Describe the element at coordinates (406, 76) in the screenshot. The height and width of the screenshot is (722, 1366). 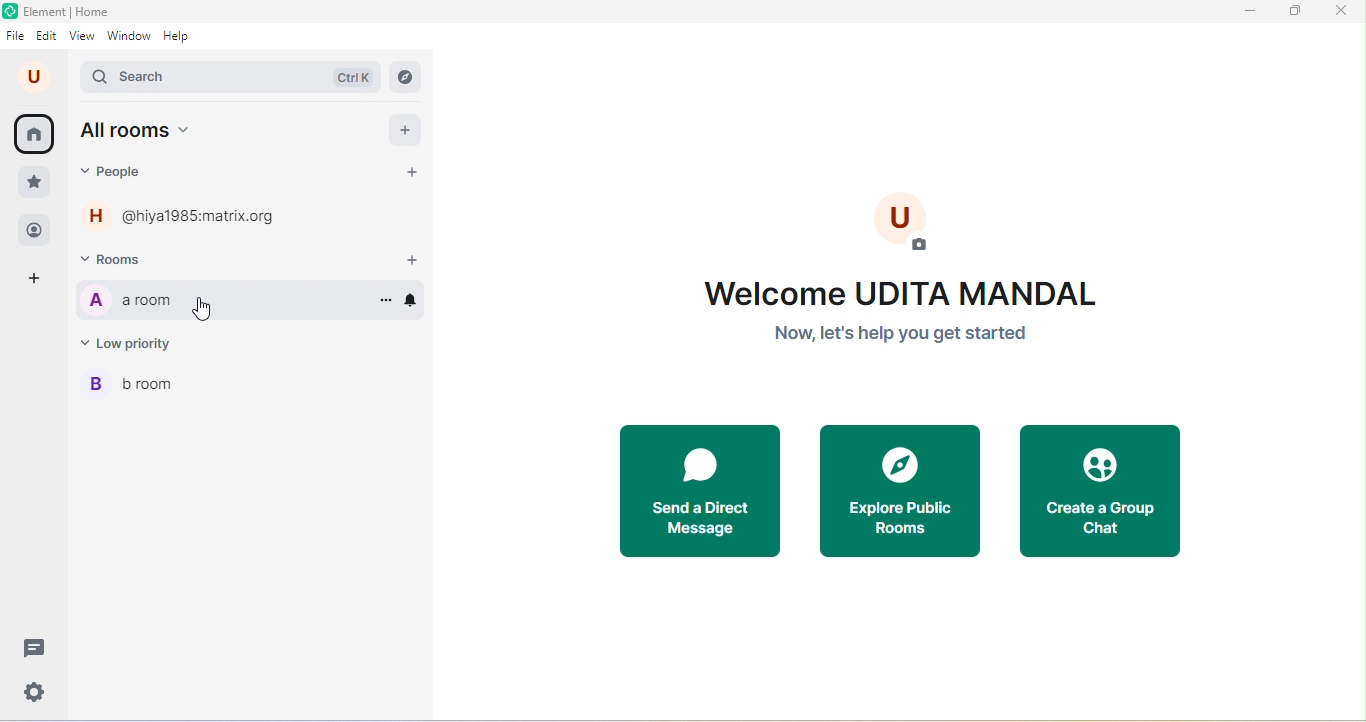
I see `explore rooms` at that location.